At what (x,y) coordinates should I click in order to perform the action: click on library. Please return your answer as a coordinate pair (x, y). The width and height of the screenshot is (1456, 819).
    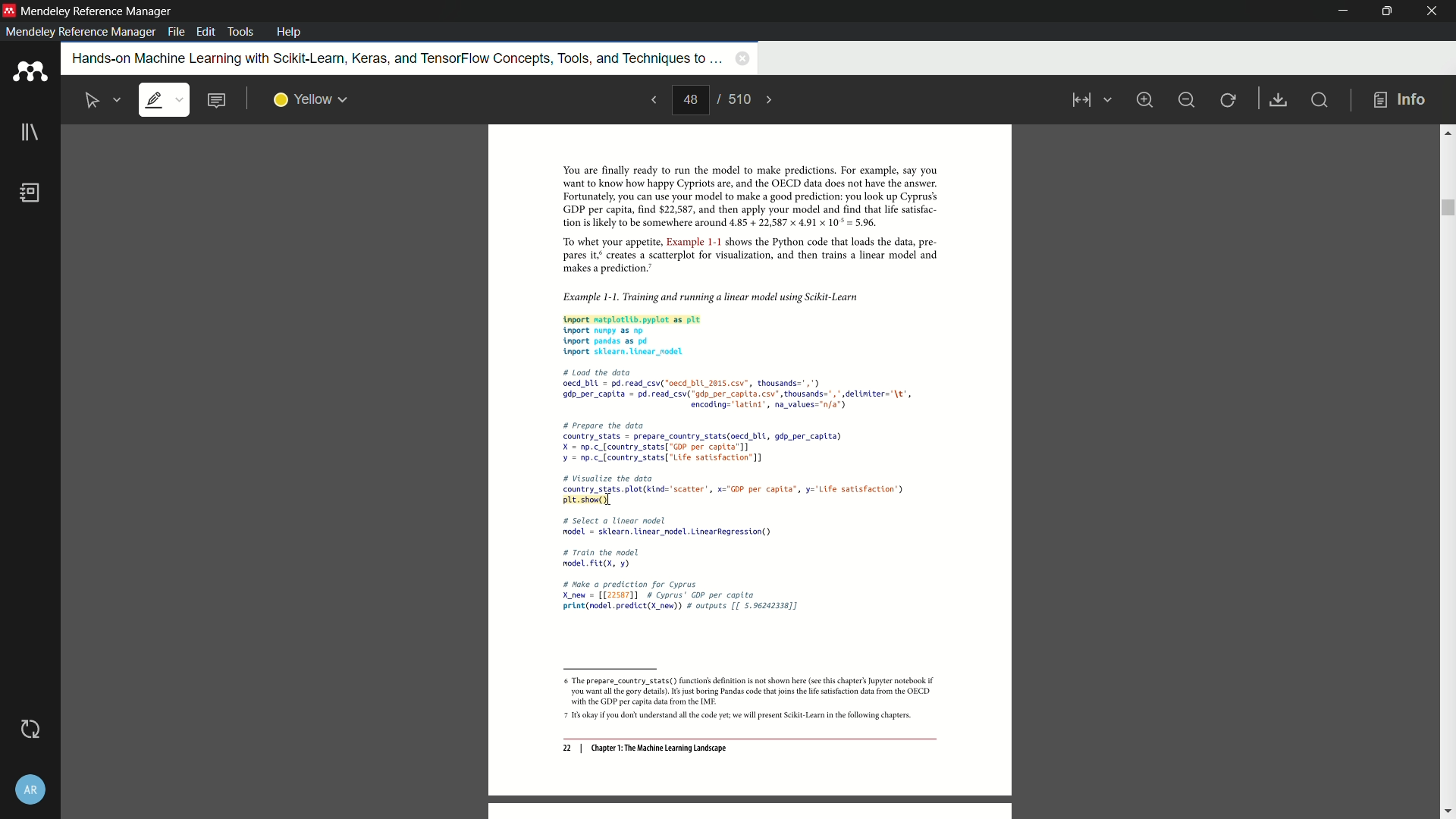
    Looking at the image, I should click on (30, 133).